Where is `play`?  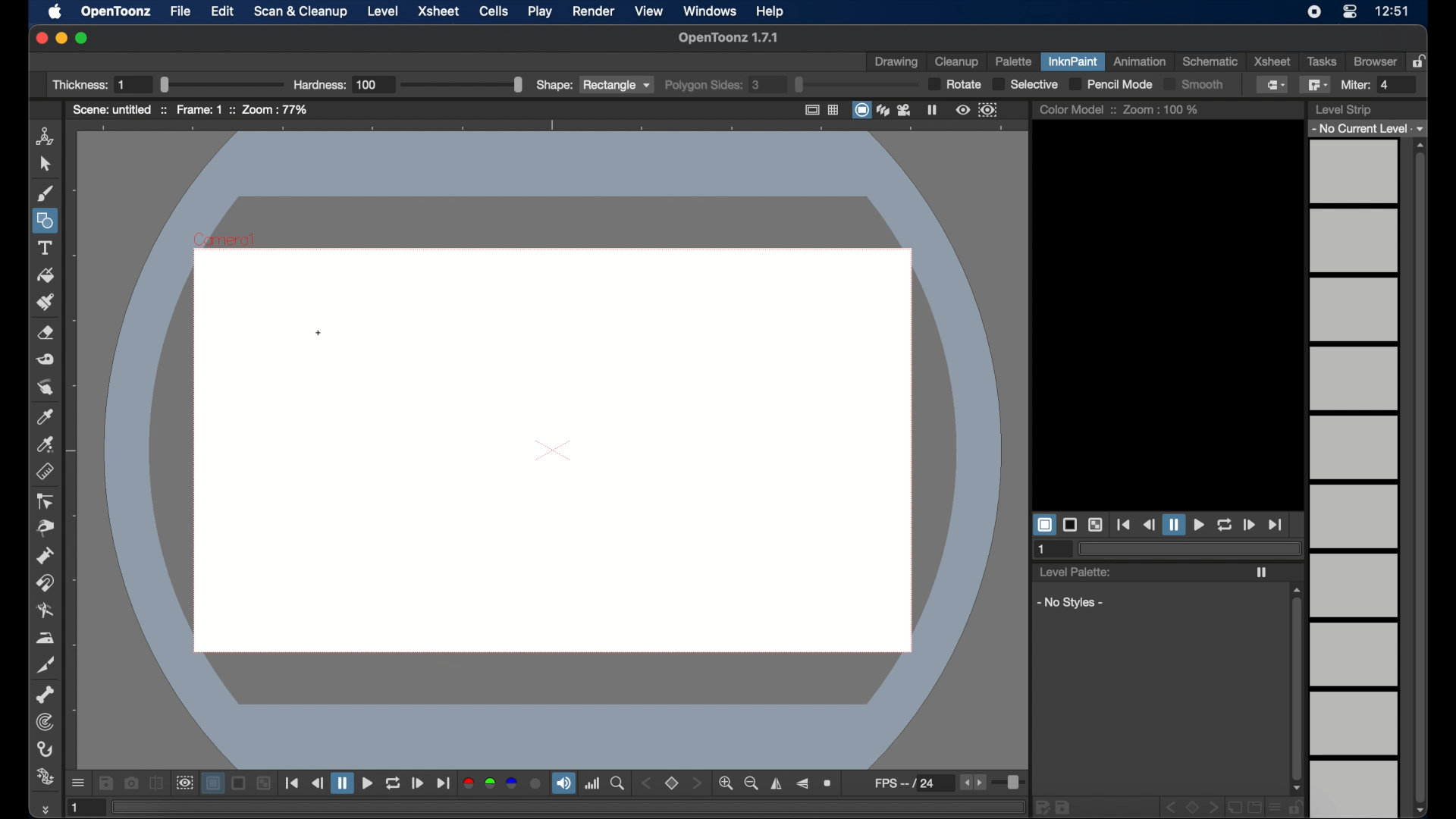
play is located at coordinates (1198, 526).